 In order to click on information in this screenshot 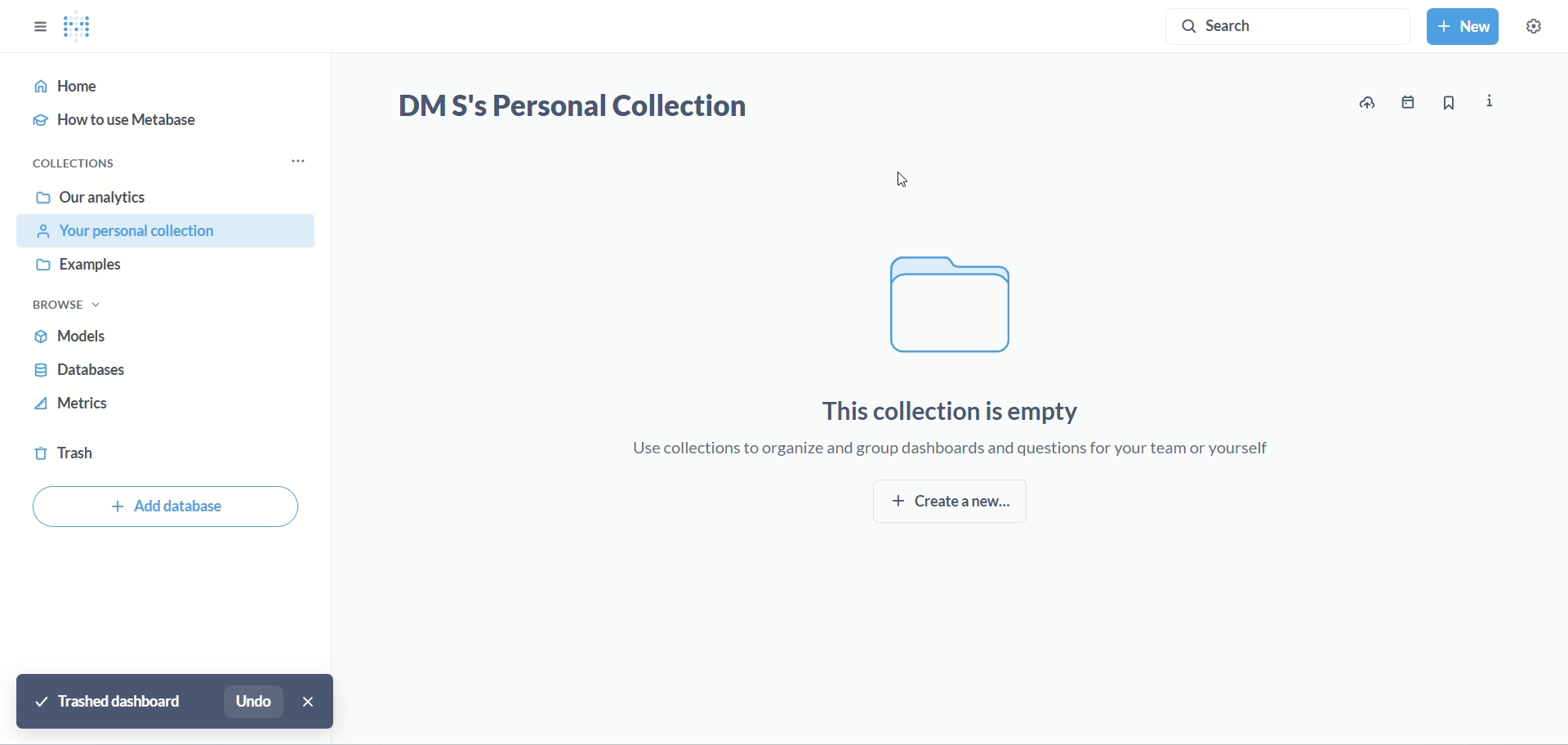, I will do `click(1492, 100)`.